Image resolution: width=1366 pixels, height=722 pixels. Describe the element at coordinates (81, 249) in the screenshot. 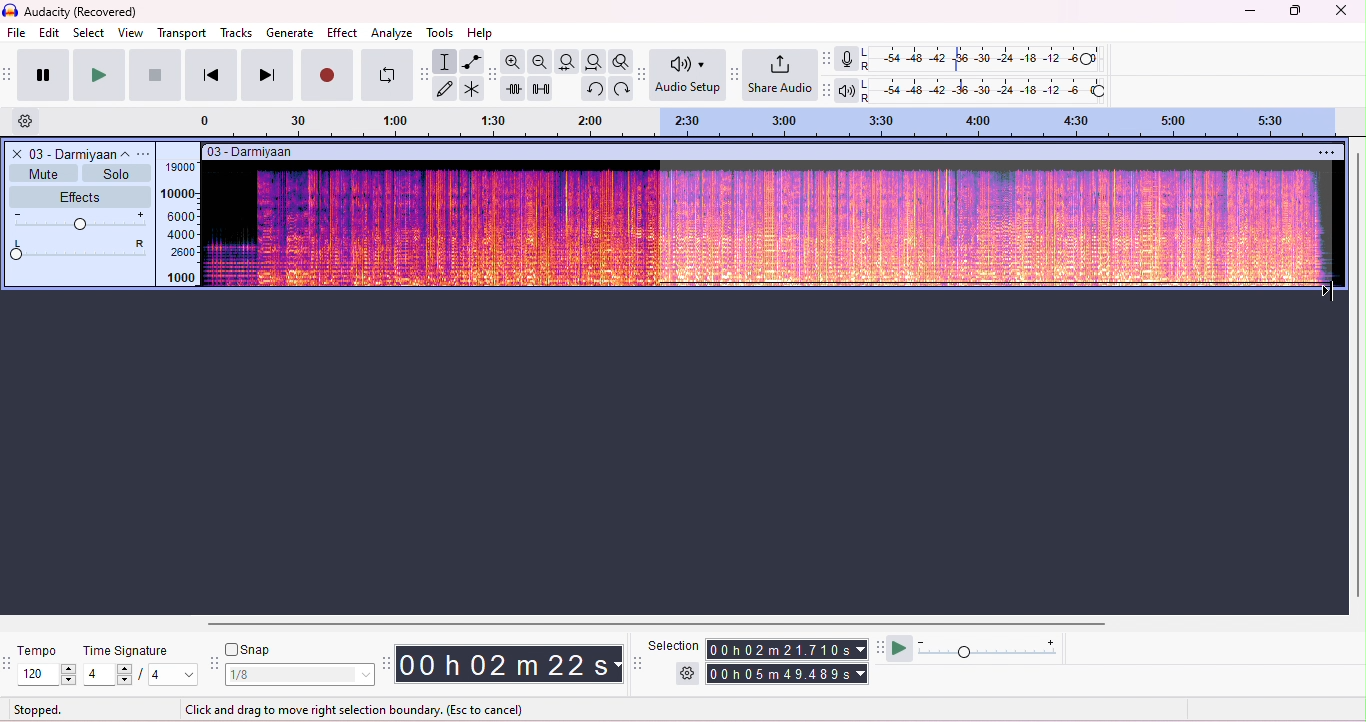

I see `pan` at that location.